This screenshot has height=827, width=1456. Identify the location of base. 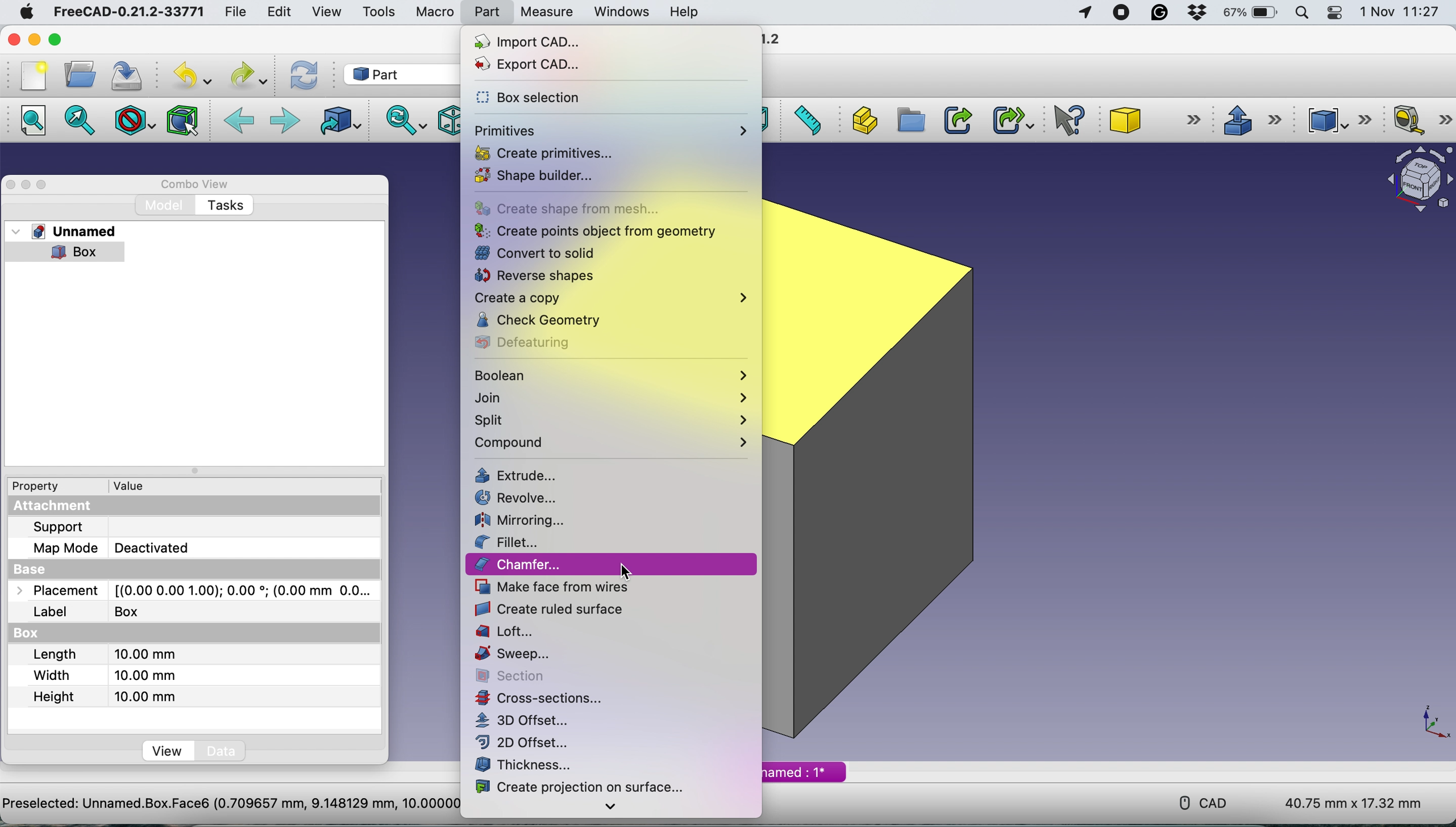
(47, 567).